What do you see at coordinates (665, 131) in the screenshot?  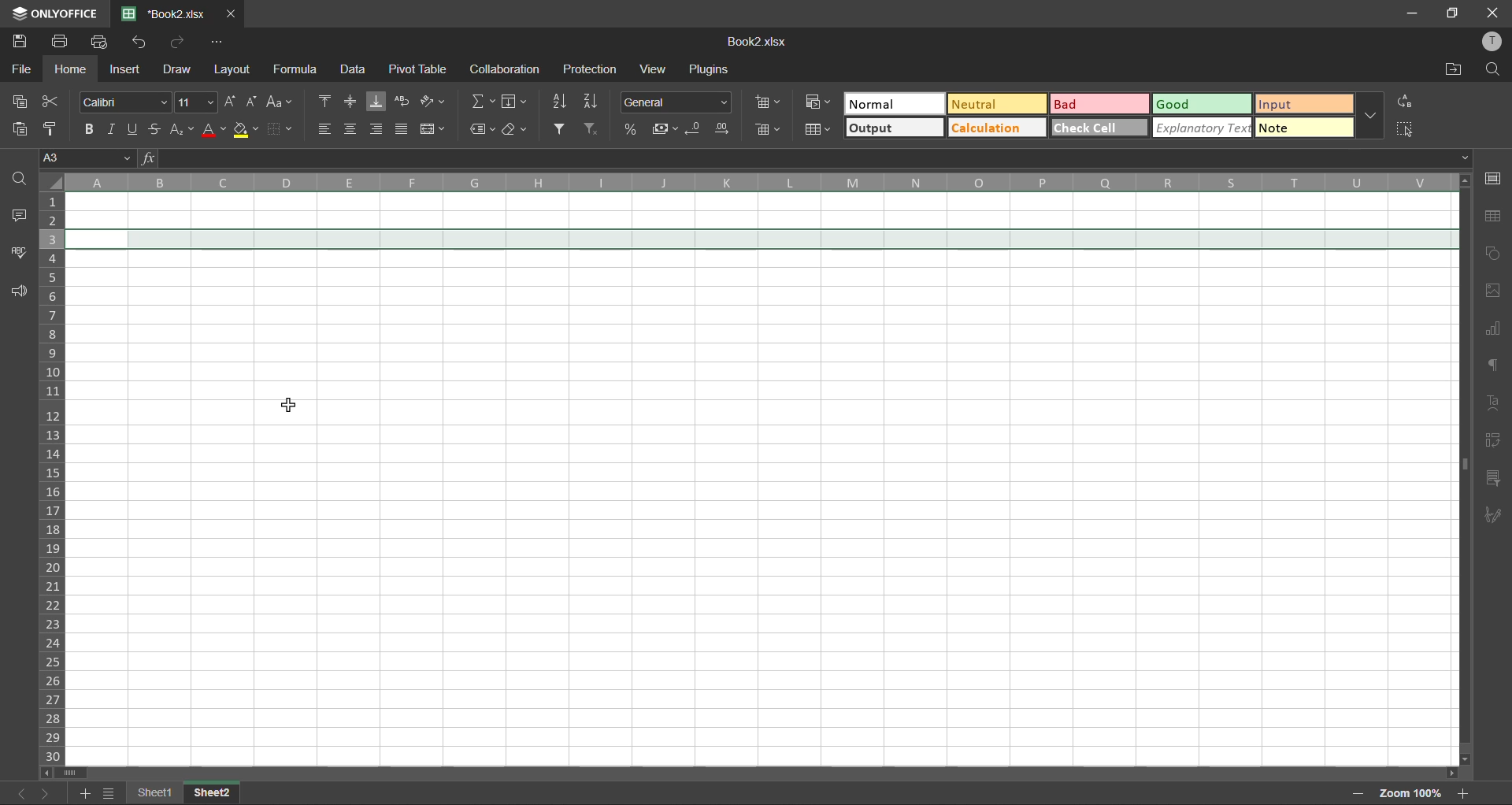 I see `accounting` at bounding box center [665, 131].